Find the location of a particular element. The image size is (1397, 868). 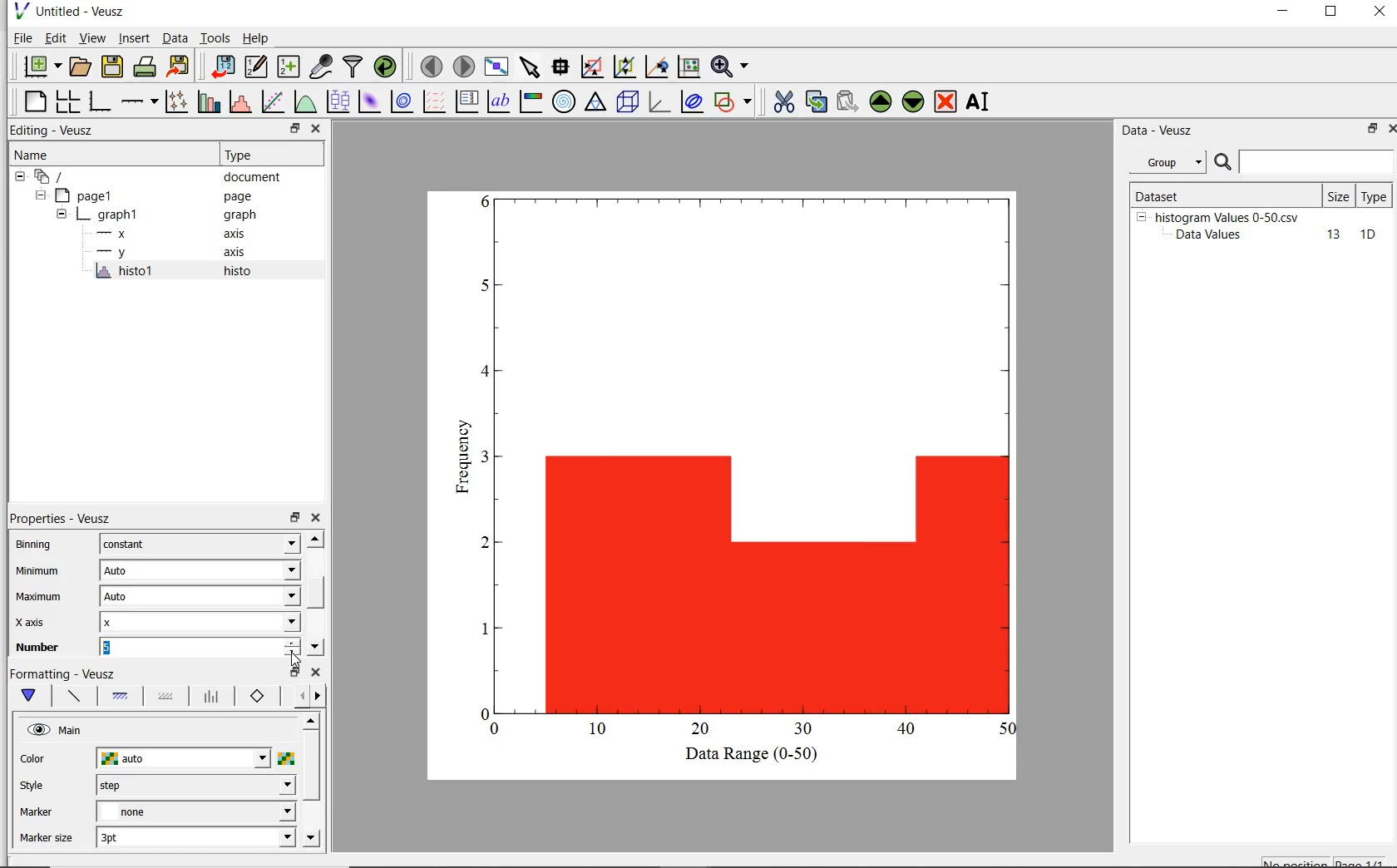

constant is located at coordinates (200, 544).